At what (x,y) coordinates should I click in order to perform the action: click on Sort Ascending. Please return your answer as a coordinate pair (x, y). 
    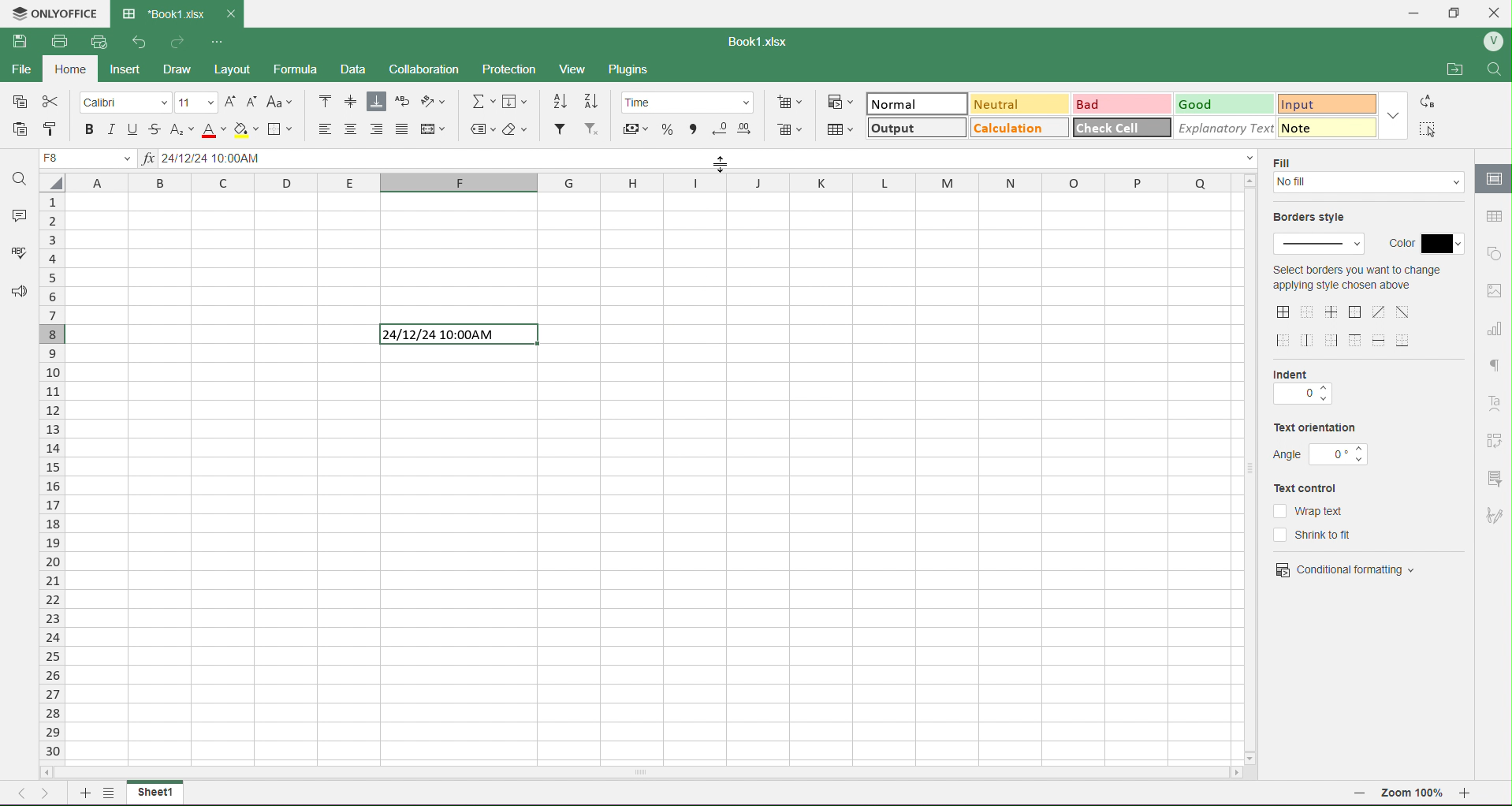
    Looking at the image, I should click on (561, 101).